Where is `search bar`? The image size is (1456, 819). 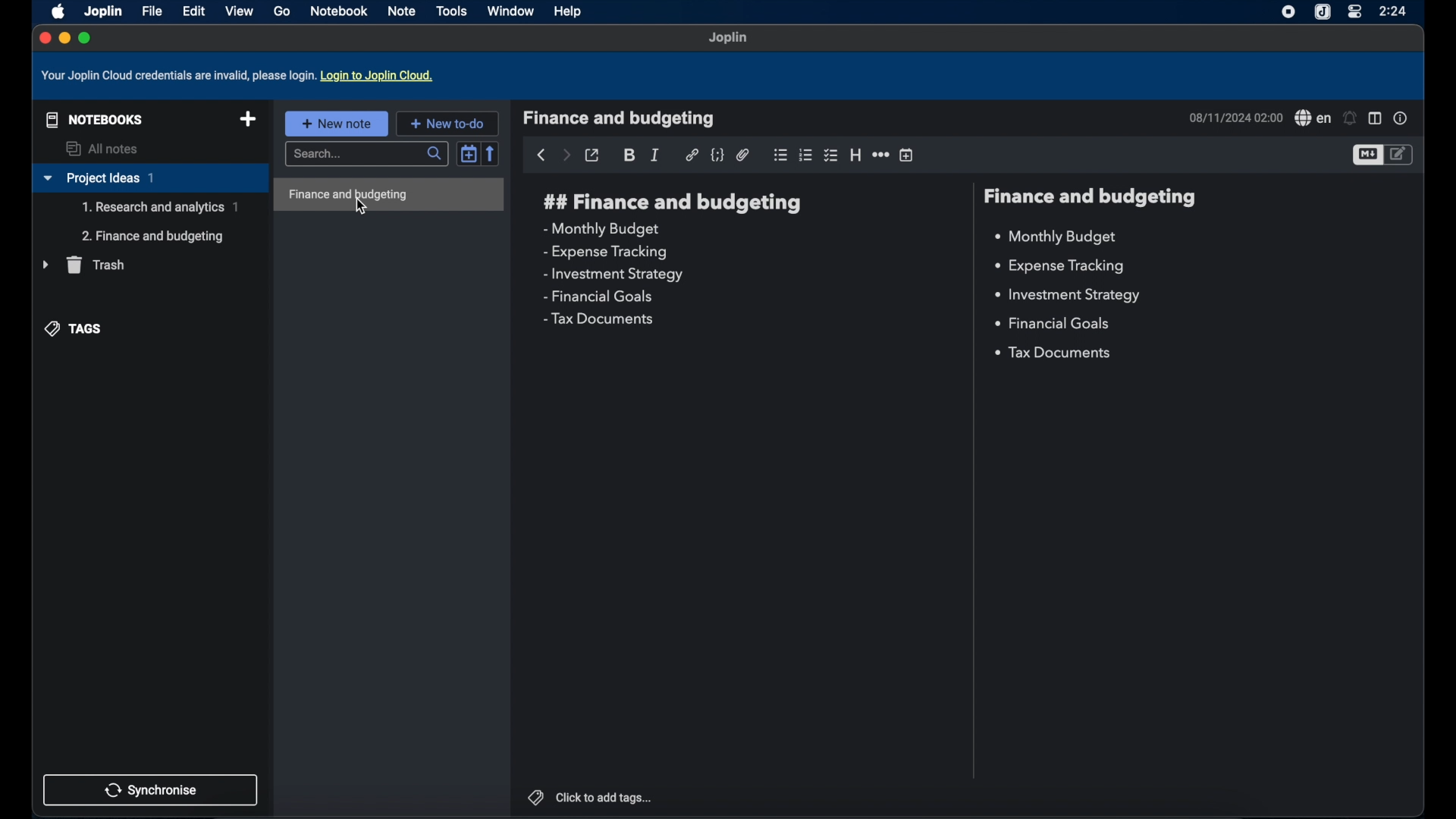 search bar is located at coordinates (369, 155).